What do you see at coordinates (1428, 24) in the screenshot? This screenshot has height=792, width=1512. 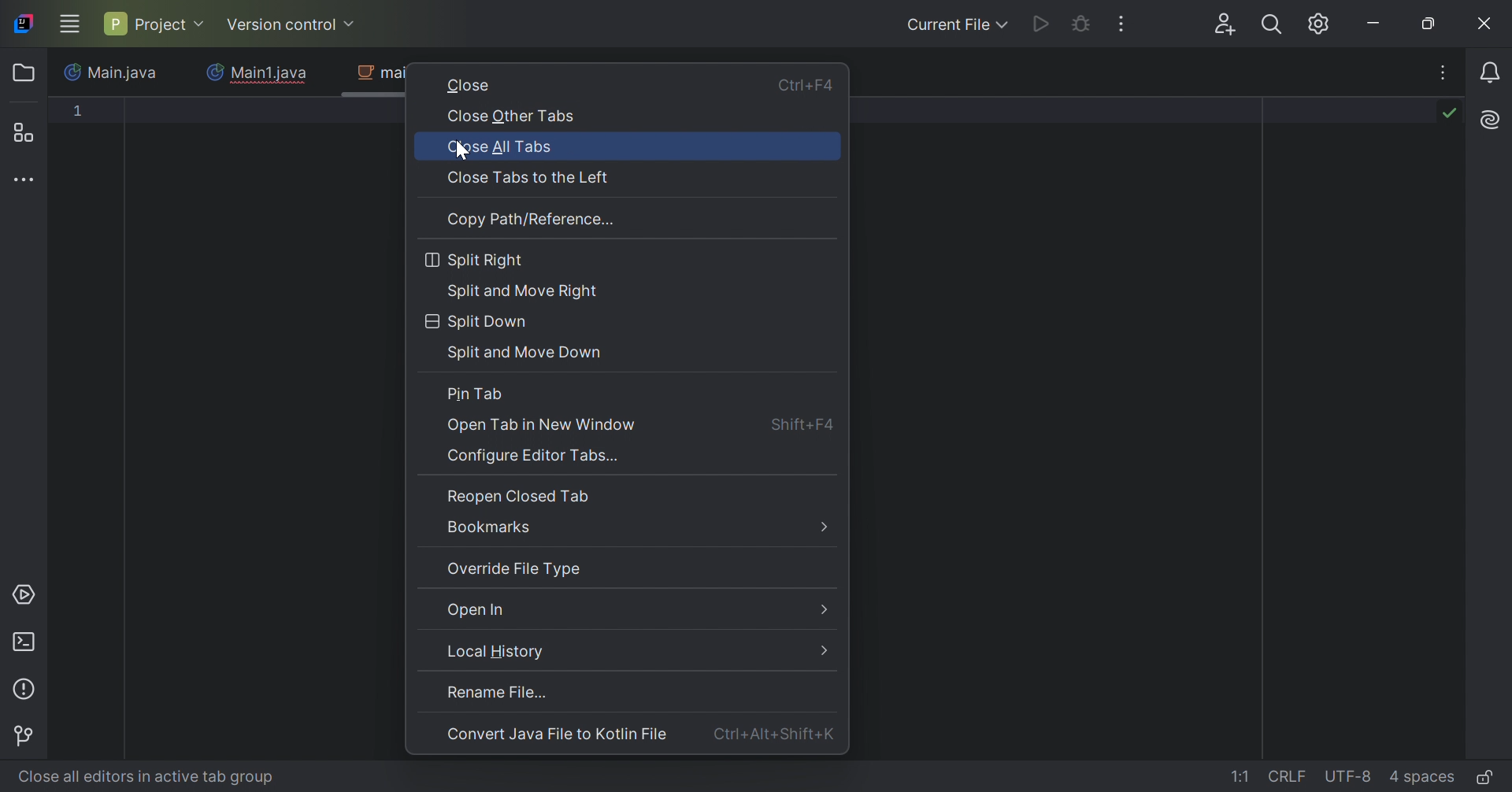 I see `Restore down` at bounding box center [1428, 24].